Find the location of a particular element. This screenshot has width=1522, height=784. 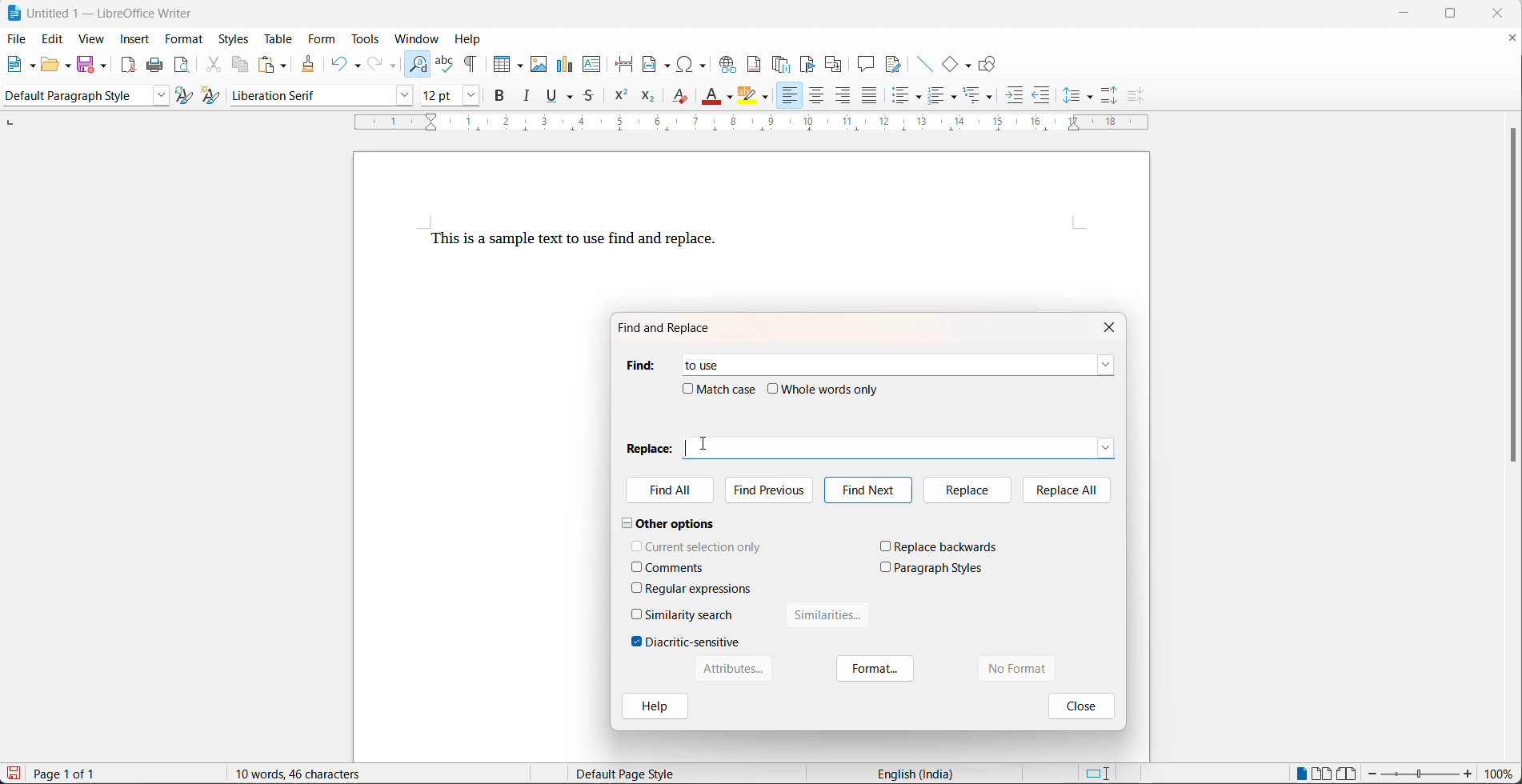

undo is located at coordinates (338, 62).